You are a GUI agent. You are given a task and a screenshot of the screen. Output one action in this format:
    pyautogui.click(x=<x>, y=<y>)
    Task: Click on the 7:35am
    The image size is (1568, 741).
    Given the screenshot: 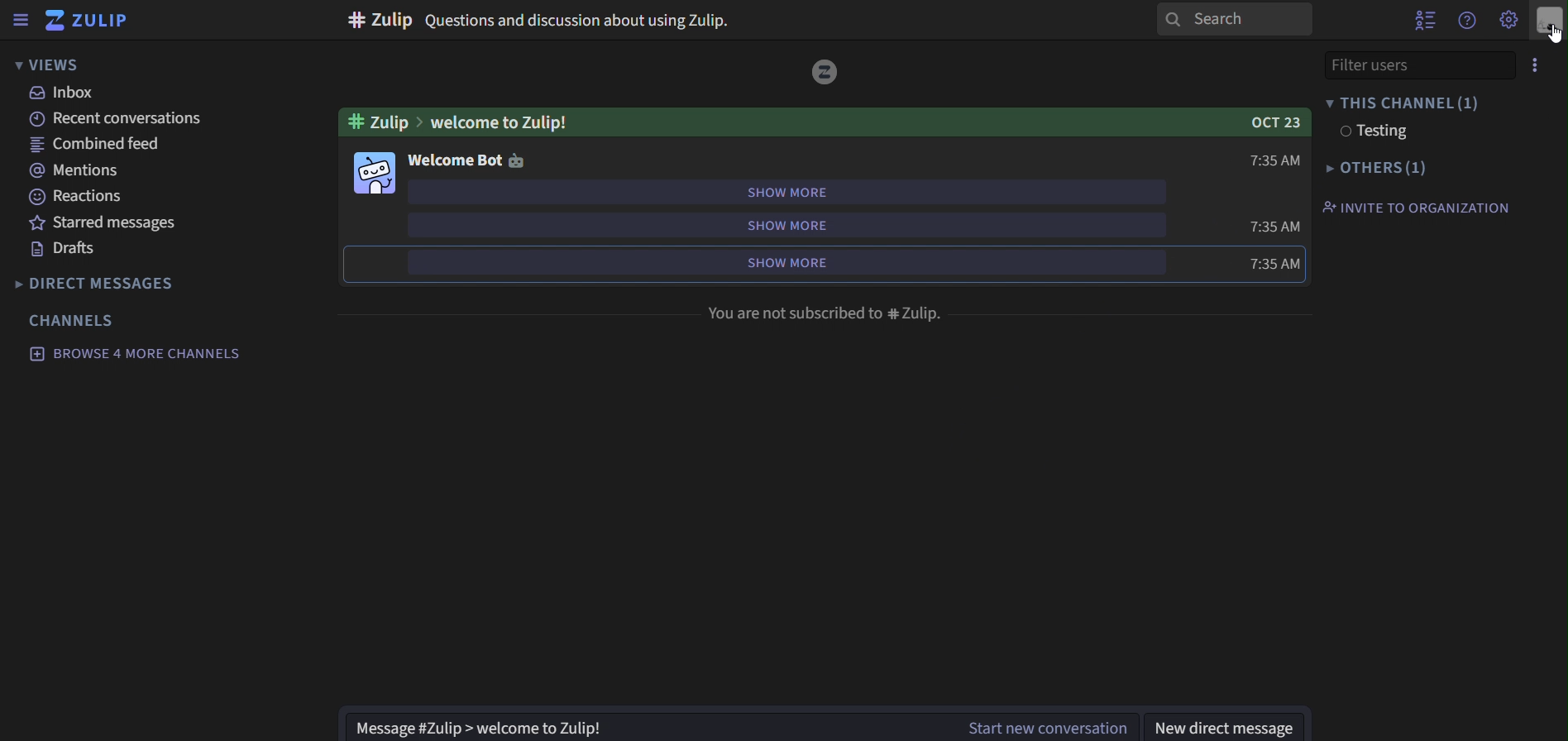 What is the action you would take?
    pyautogui.click(x=1279, y=227)
    